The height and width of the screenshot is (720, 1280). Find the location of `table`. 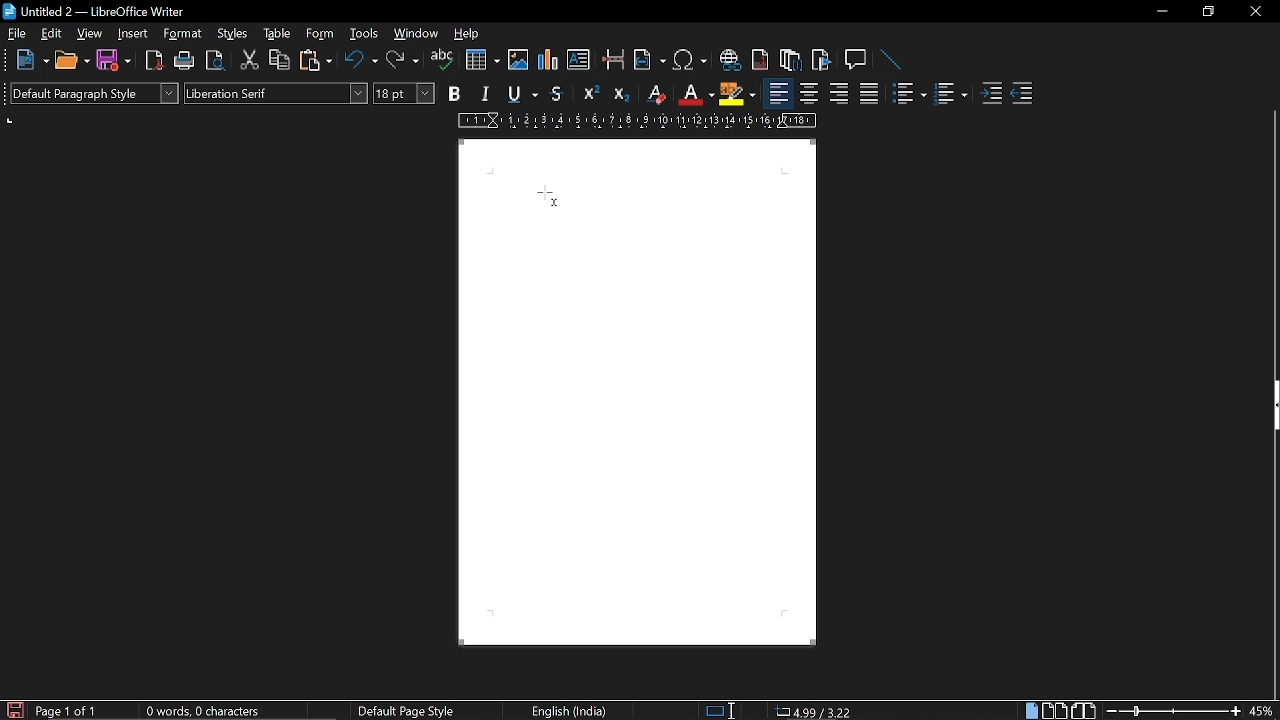

table is located at coordinates (276, 34).